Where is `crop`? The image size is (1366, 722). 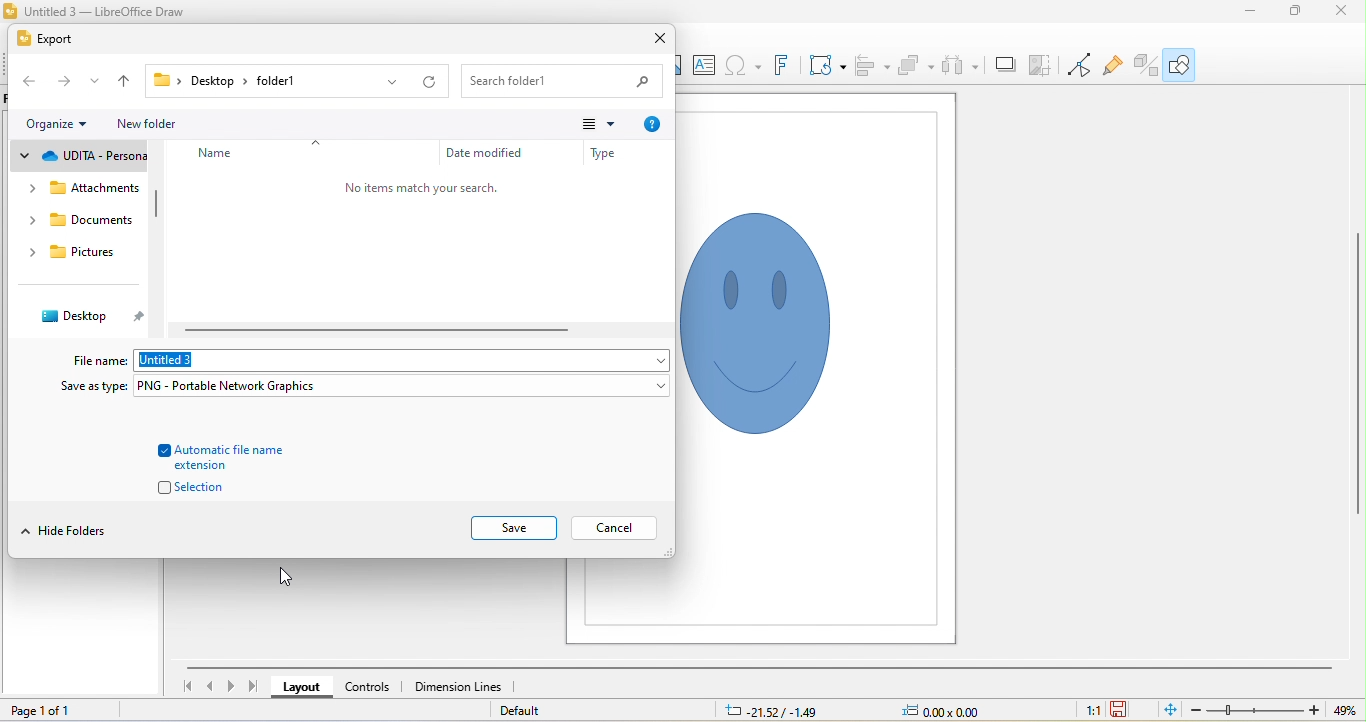 crop is located at coordinates (1042, 65).